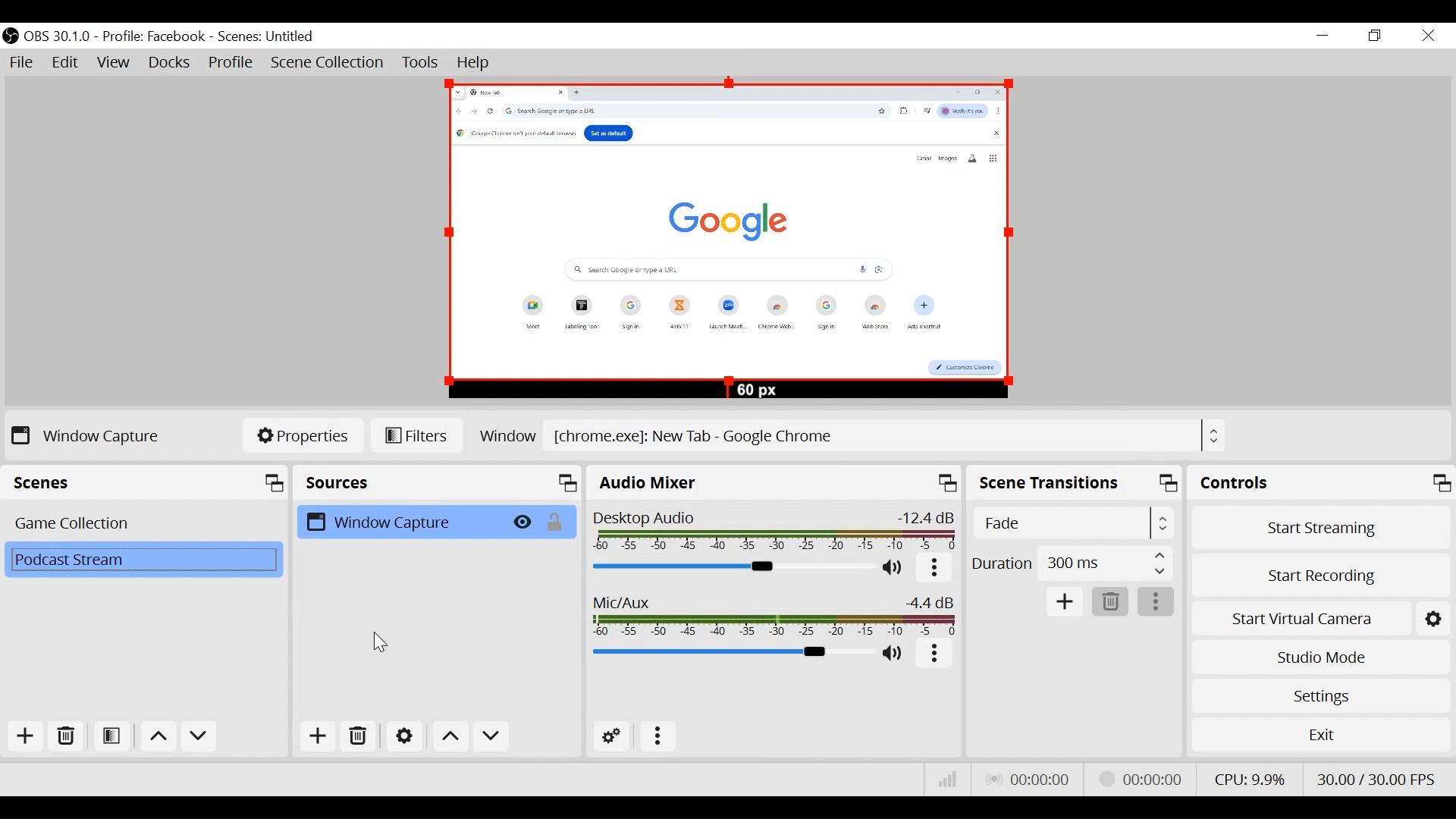 The width and height of the screenshot is (1456, 819). What do you see at coordinates (491, 737) in the screenshot?
I see `Move down` at bounding box center [491, 737].